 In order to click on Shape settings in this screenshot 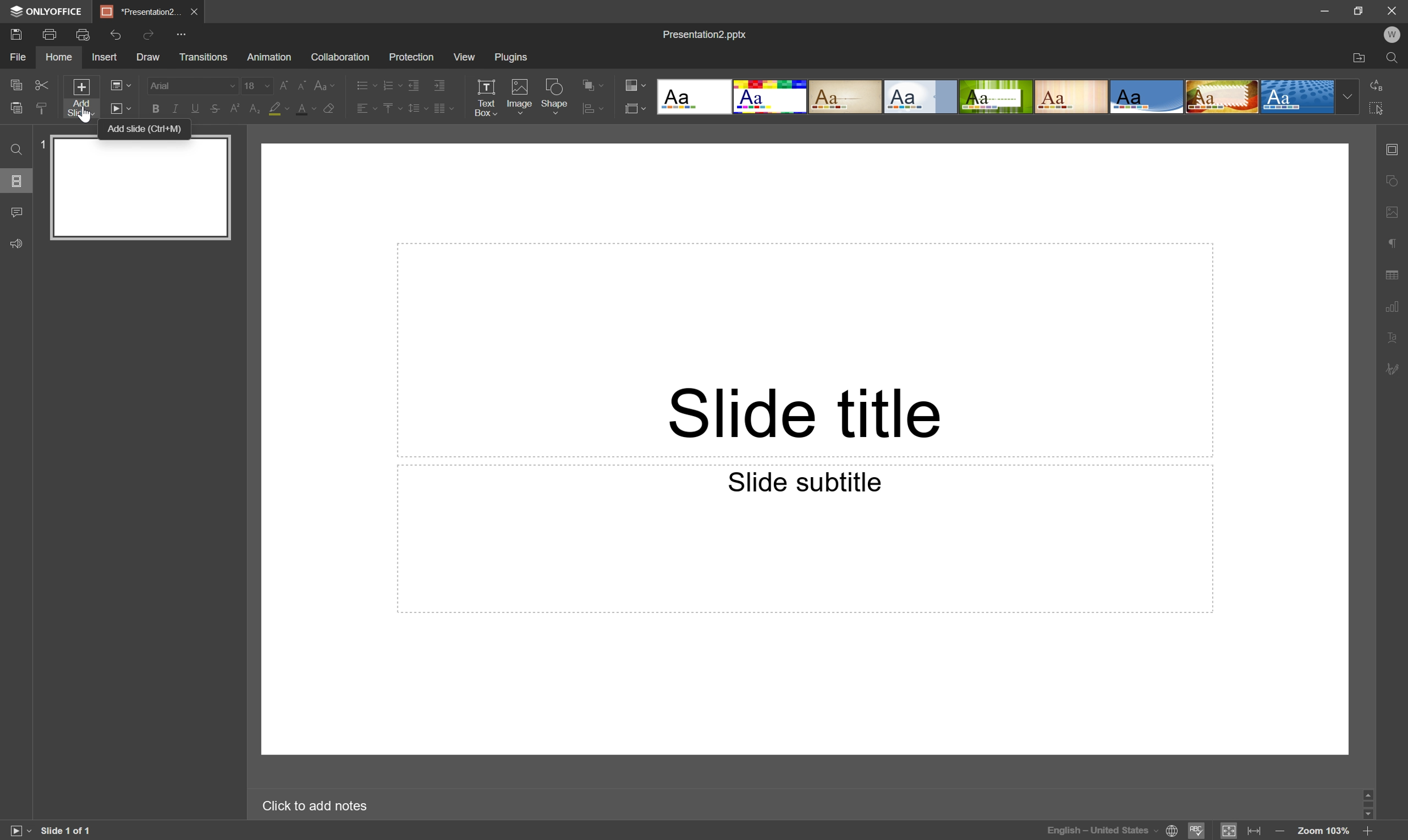, I will do `click(1395, 179)`.